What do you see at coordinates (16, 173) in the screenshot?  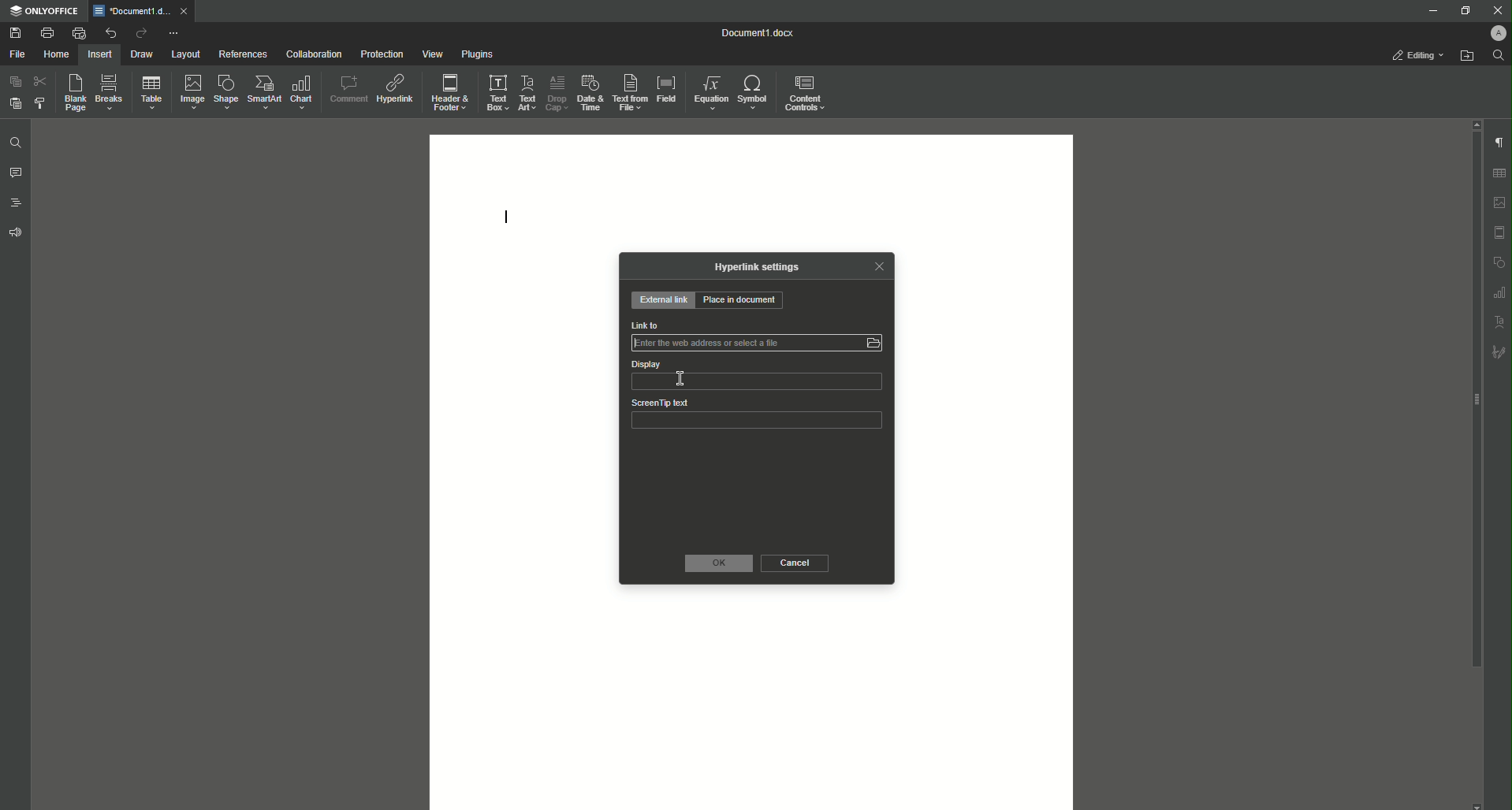 I see `Comments` at bounding box center [16, 173].